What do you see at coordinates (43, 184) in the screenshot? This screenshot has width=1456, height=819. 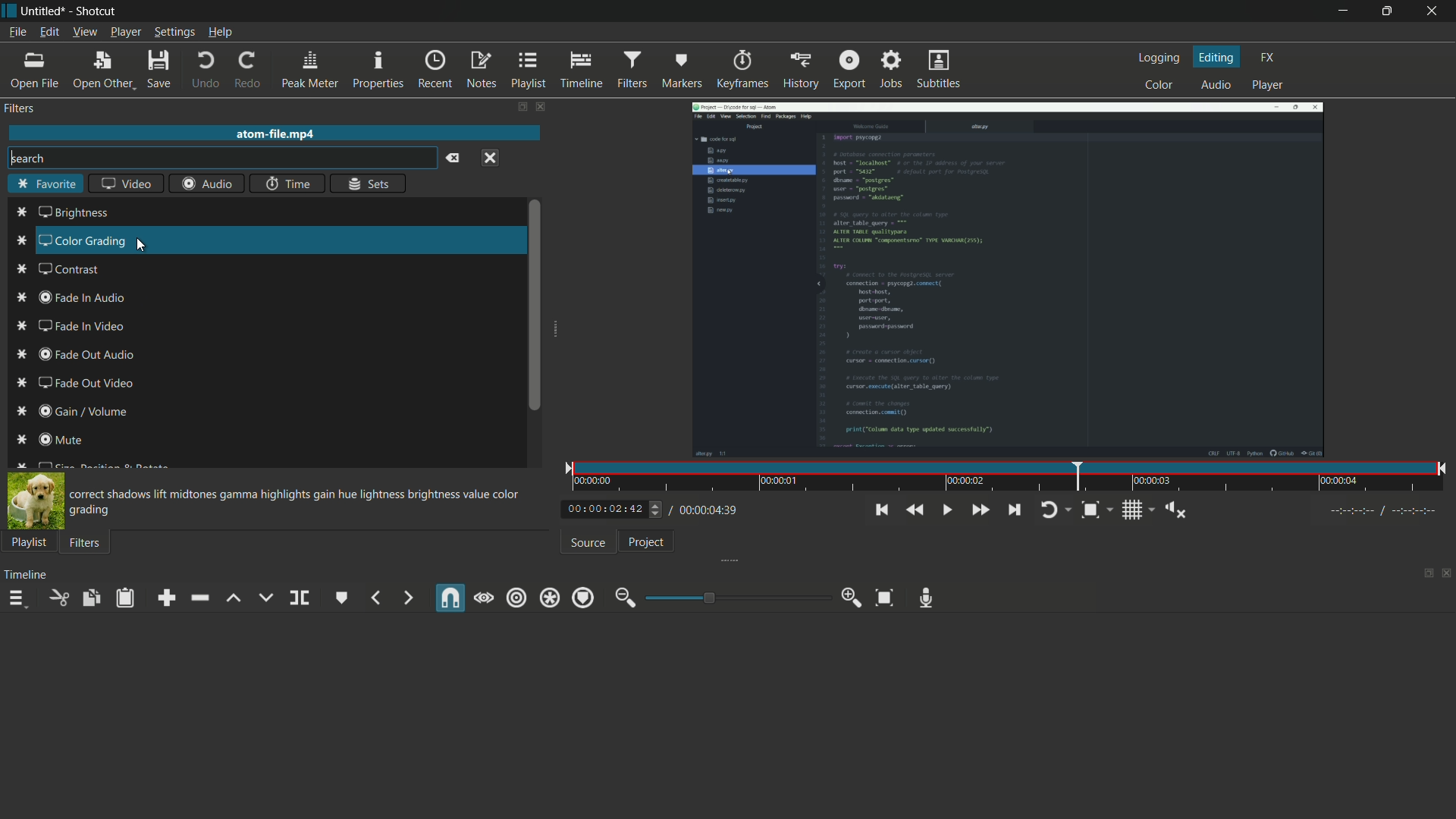 I see `favorite` at bounding box center [43, 184].